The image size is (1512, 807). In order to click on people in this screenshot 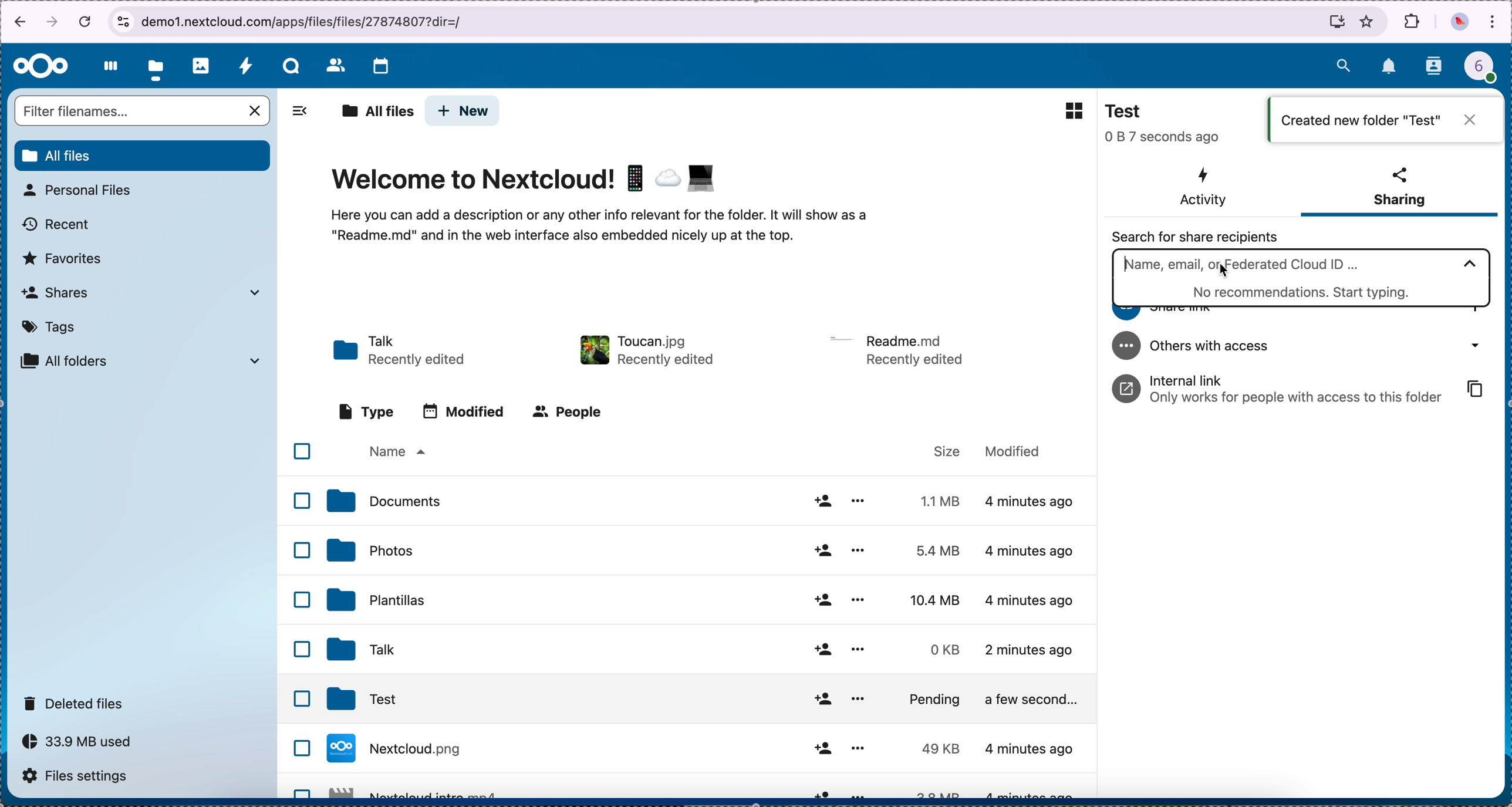, I will do `click(571, 412)`.